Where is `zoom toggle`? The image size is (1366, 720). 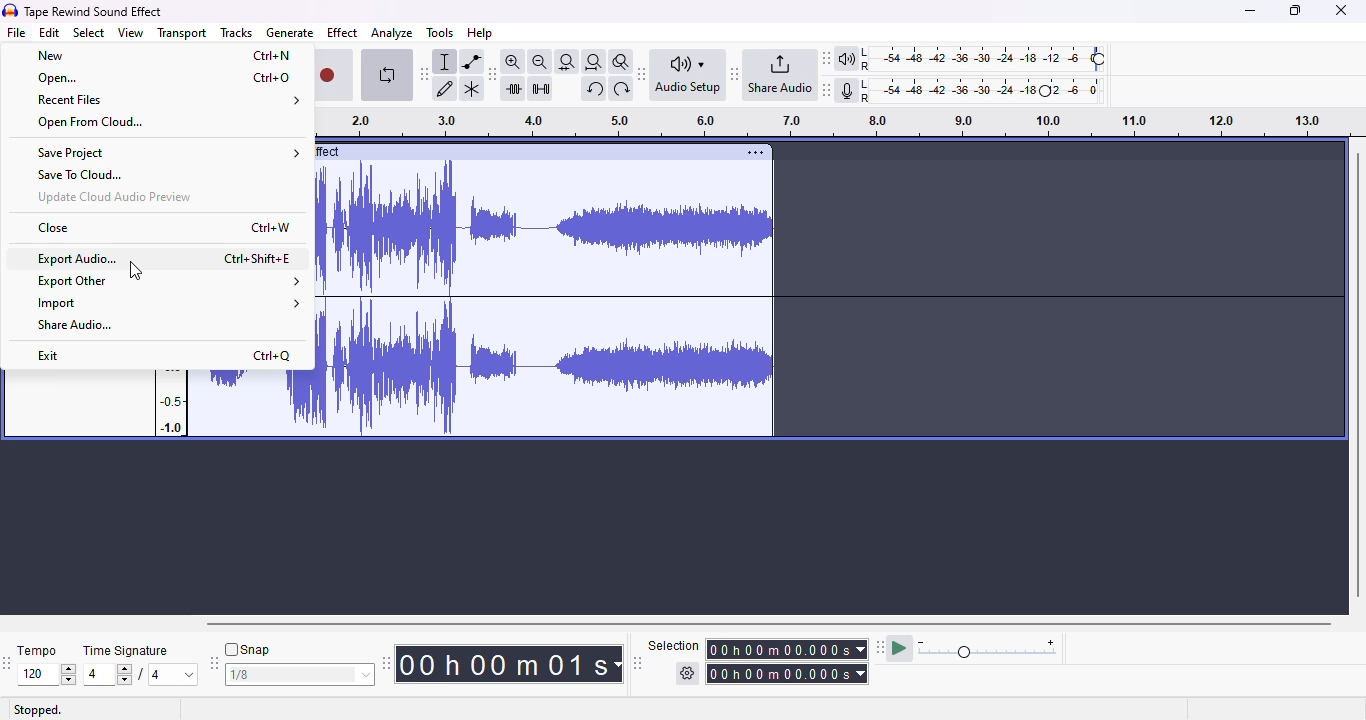
zoom toggle is located at coordinates (622, 62).